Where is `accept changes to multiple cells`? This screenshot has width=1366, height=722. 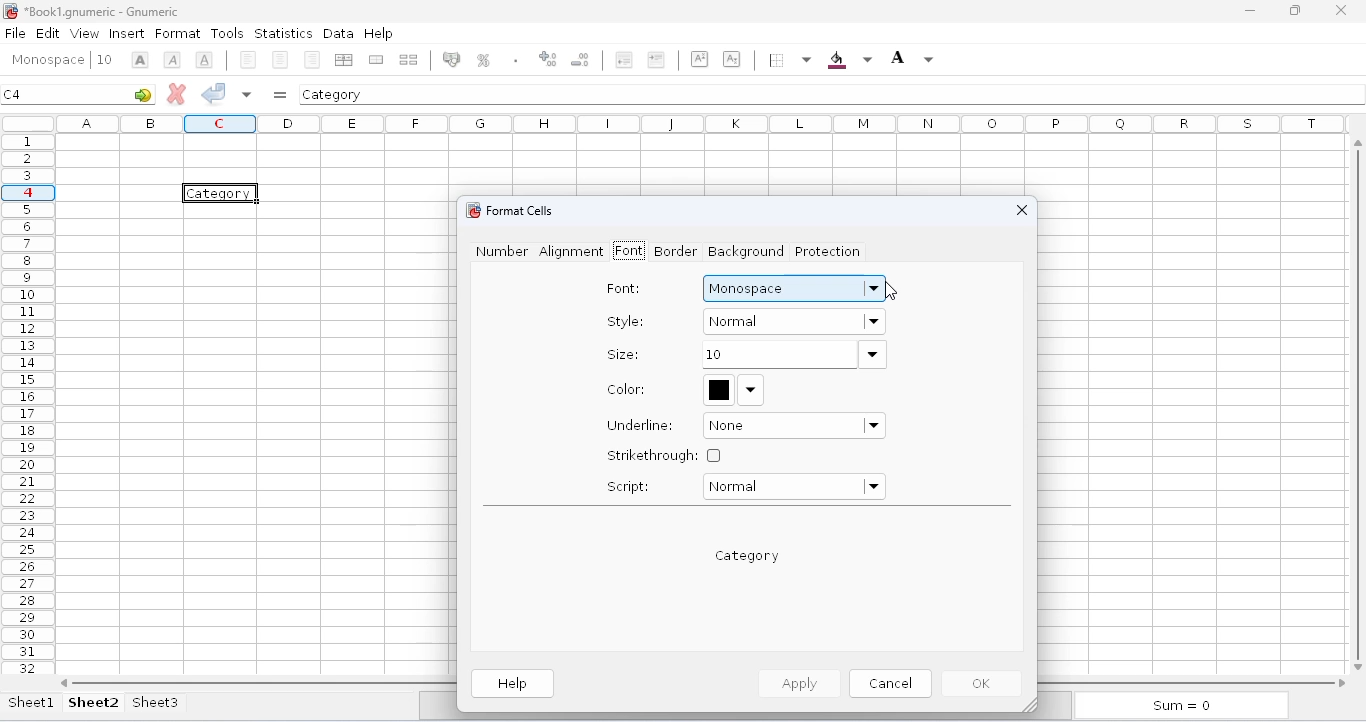
accept changes to multiple cells is located at coordinates (247, 94).